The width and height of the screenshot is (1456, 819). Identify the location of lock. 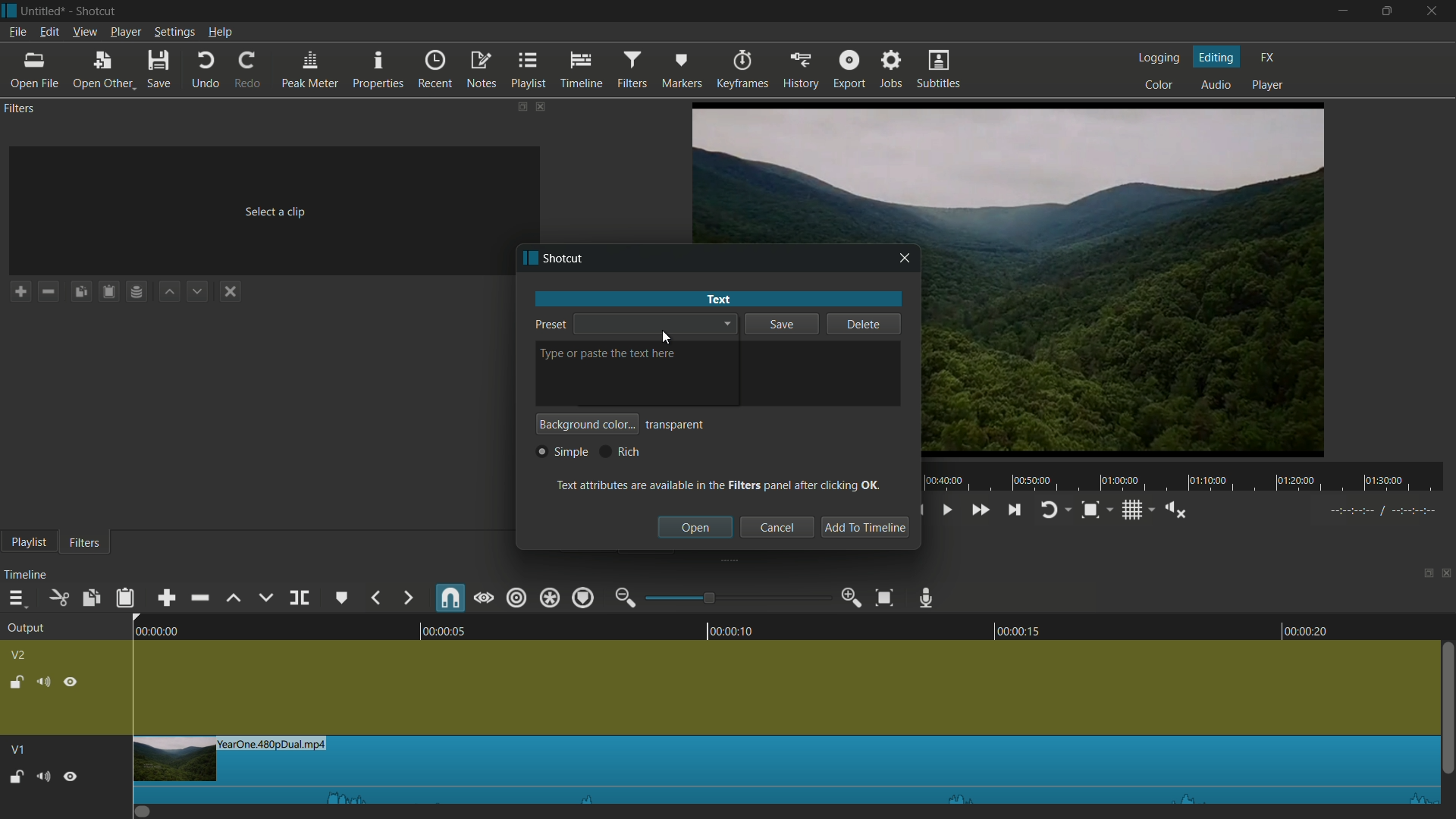
(14, 680).